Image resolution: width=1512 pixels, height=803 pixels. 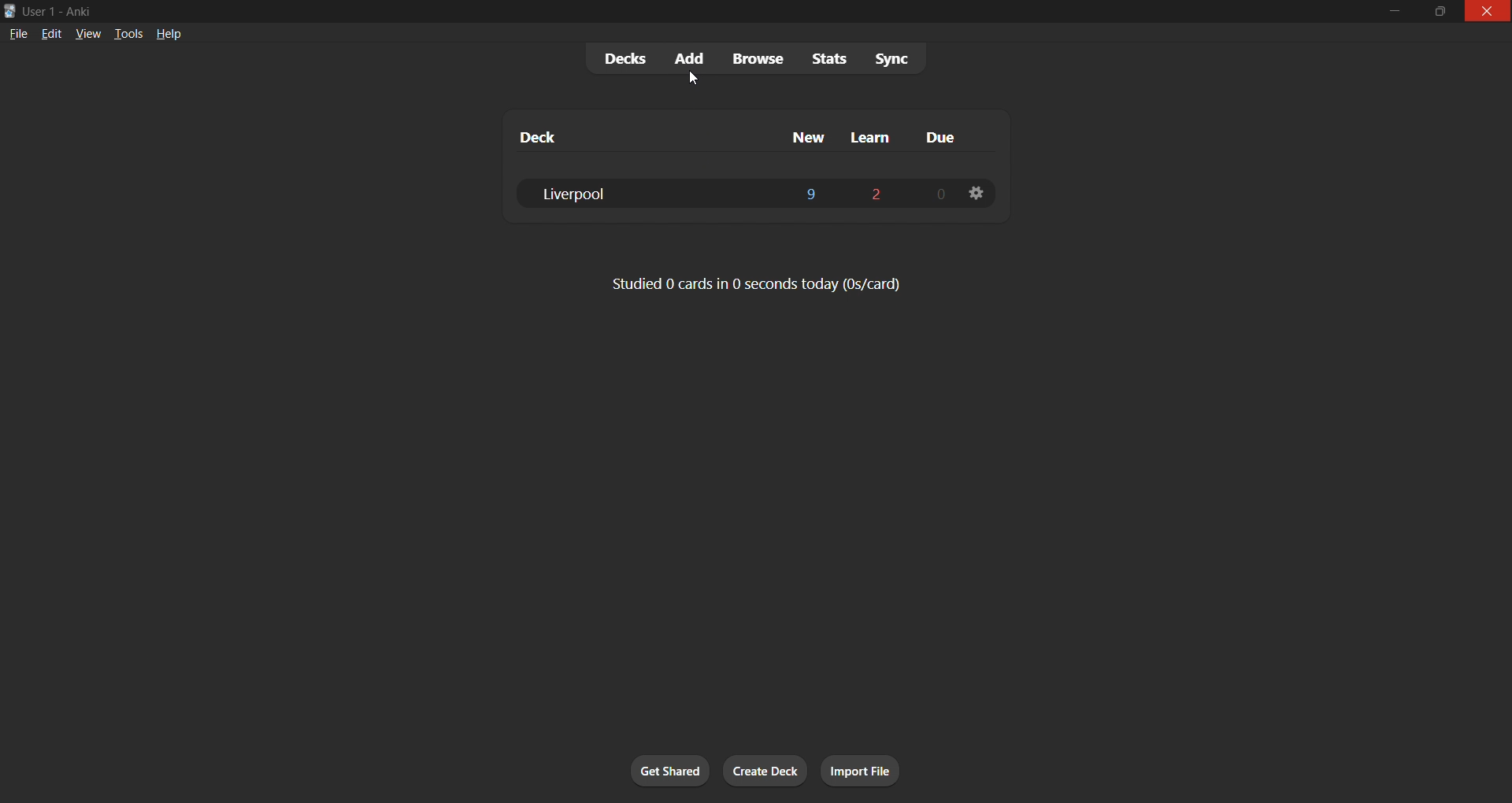 I want to click on deck column, so click(x=621, y=138).